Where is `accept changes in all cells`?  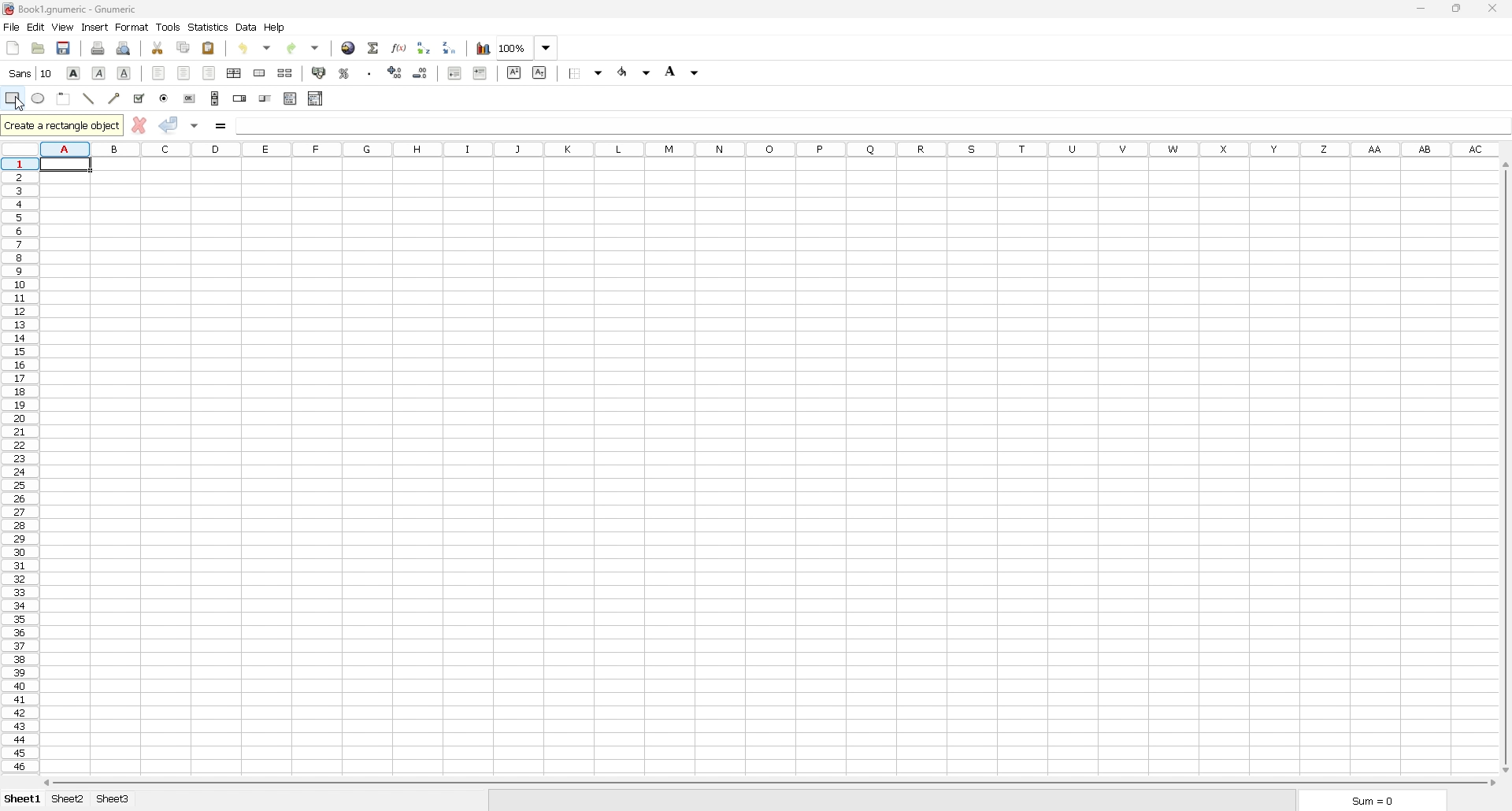
accept changes in all cells is located at coordinates (197, 126).